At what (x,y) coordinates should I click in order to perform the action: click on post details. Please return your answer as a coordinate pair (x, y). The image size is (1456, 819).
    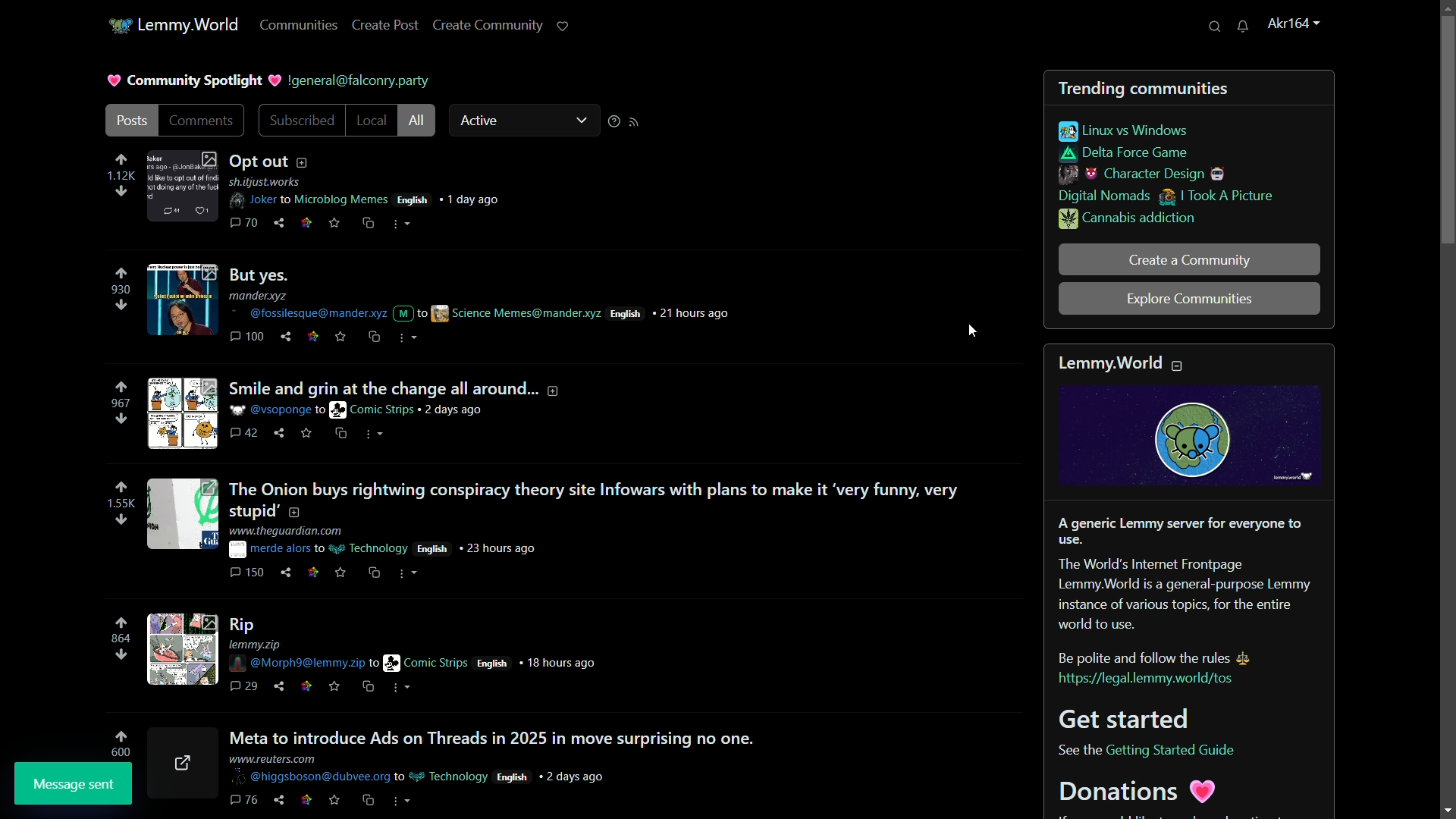
    Looking at the image, I should click on (494, 304).